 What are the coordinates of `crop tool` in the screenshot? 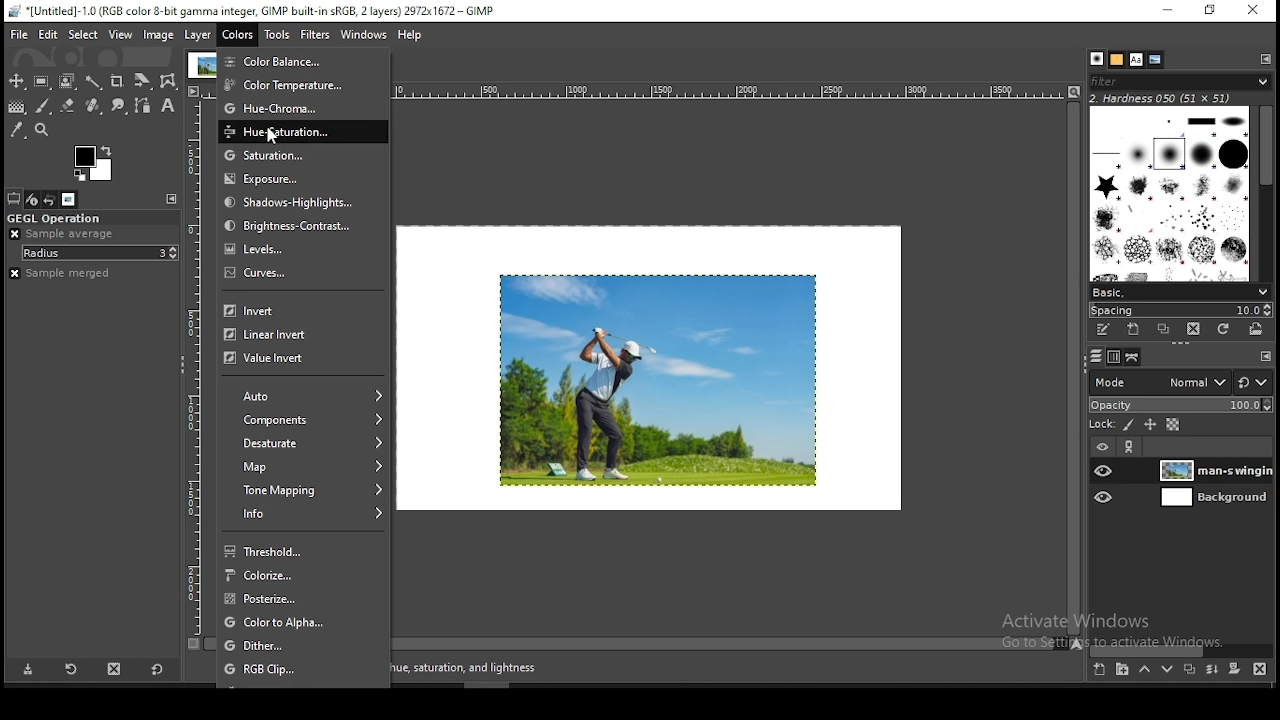 It's located at (118, 82).